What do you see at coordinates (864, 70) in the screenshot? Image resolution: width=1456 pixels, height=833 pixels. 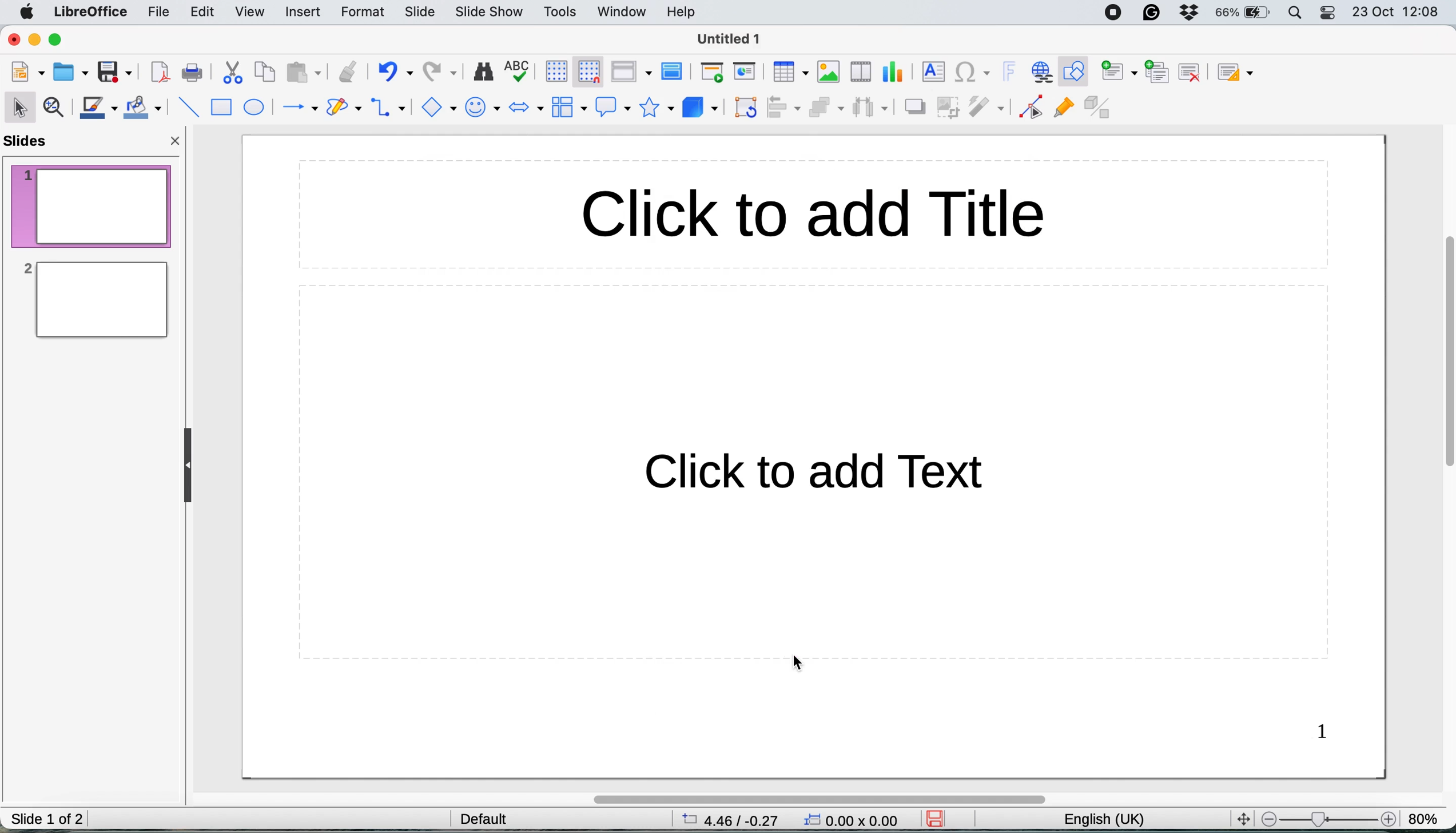 I see `insert audio video` at bounding box center [864, 70].